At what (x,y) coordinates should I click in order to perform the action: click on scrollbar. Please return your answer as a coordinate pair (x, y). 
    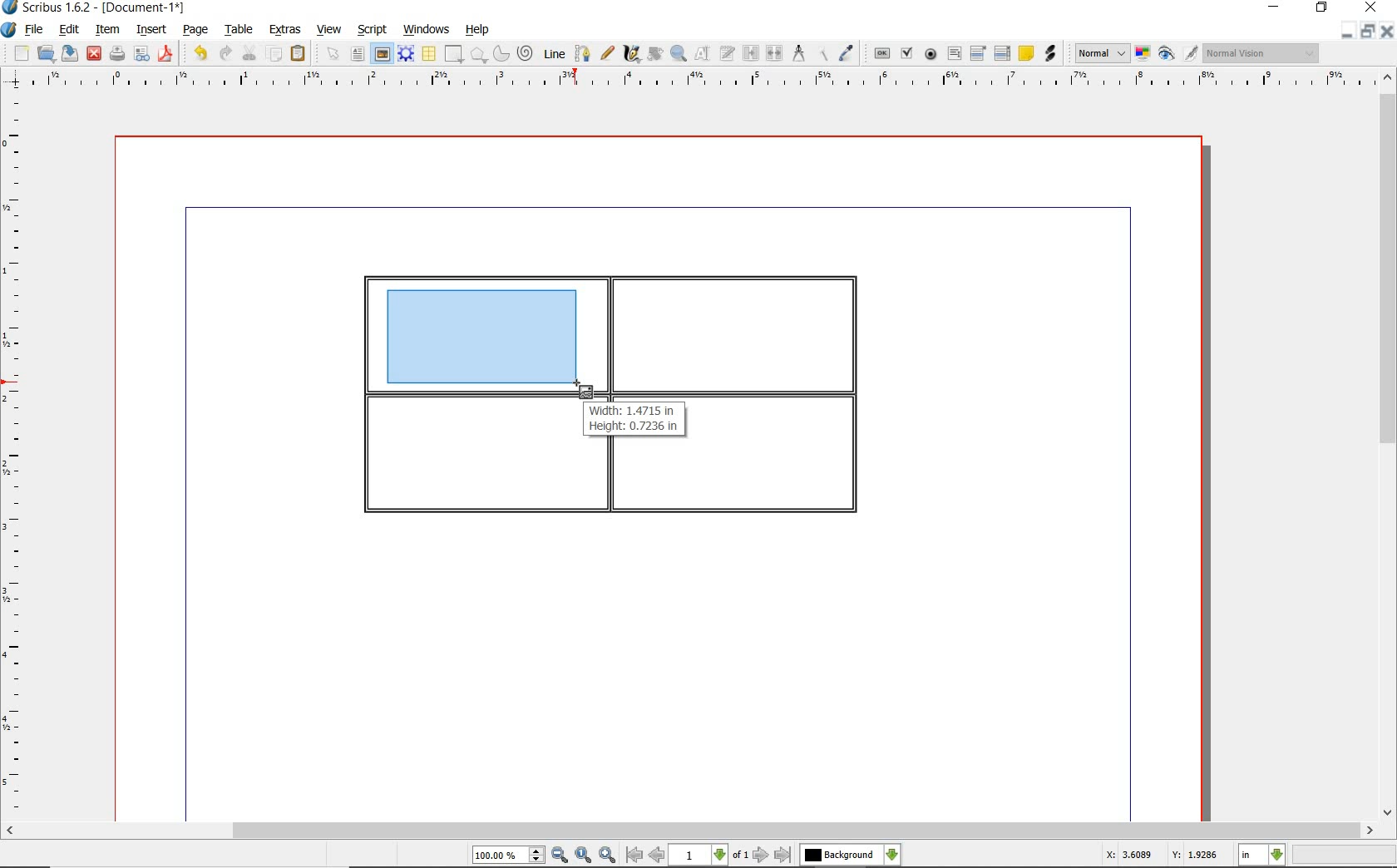
    Looking at the image, I should click on (689, 831).